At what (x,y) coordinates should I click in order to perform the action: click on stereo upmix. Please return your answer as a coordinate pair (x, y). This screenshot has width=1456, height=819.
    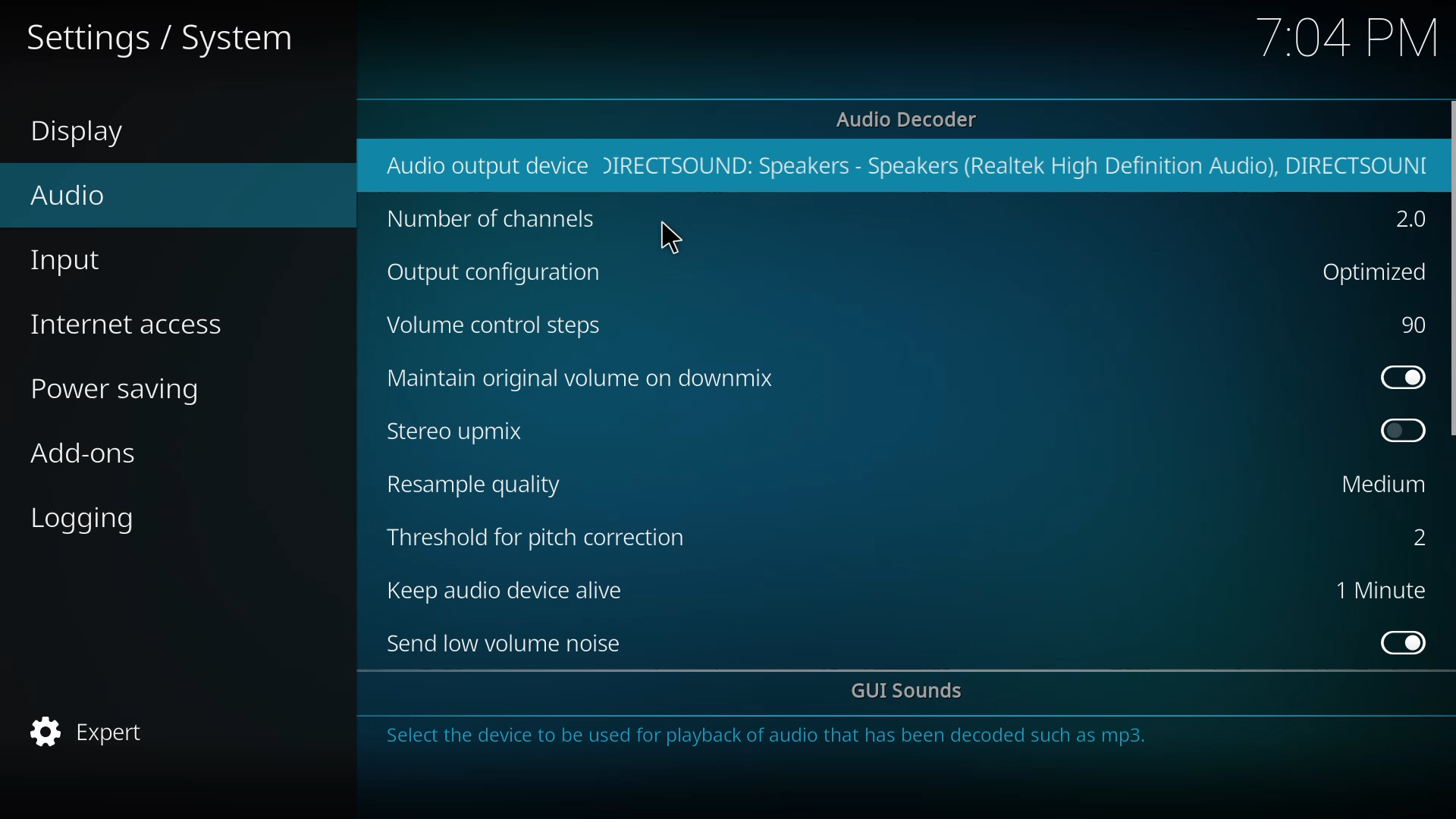
    Looking at the image, I should click on (457, 430).